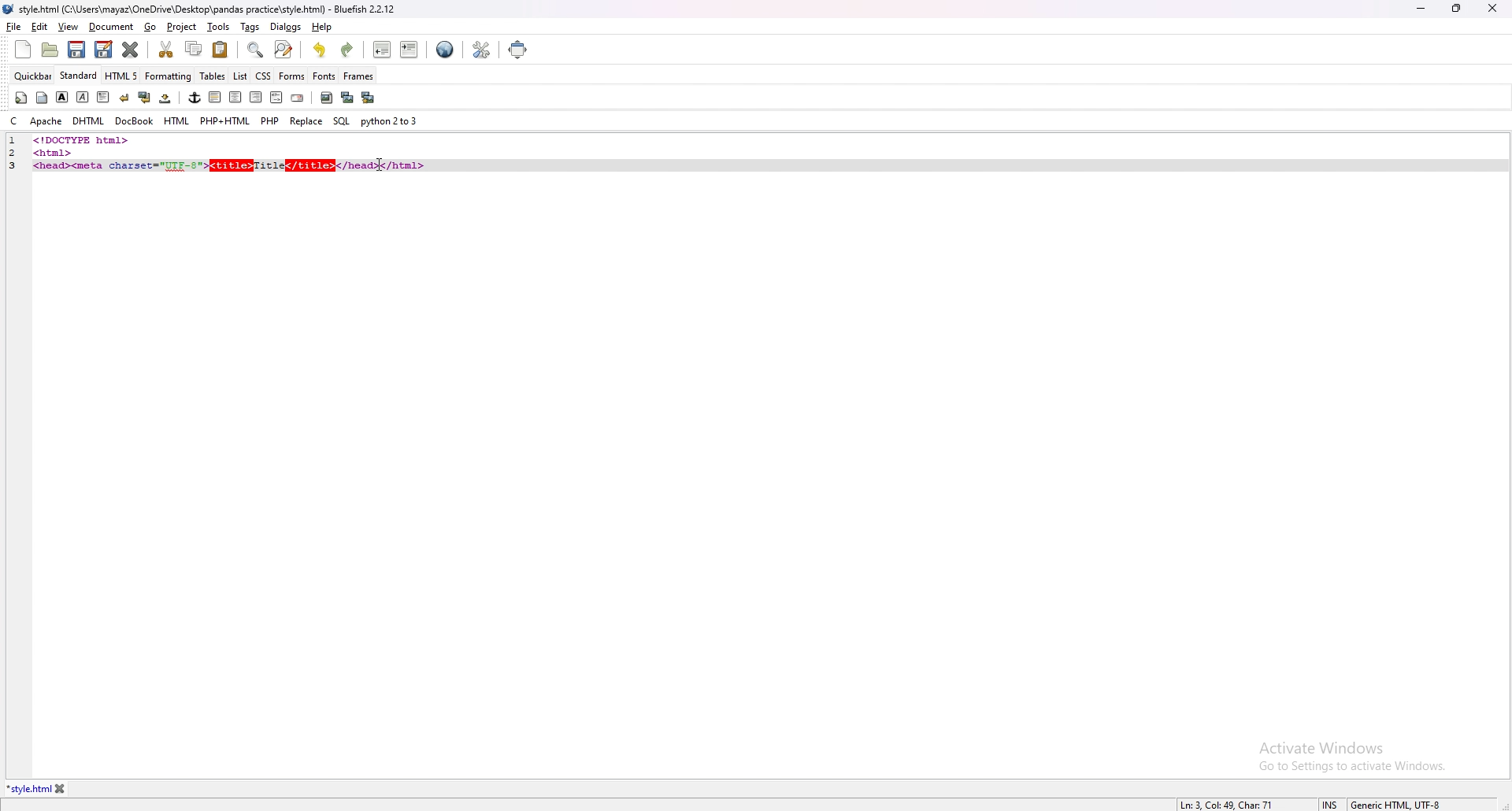 The height and width of the screenshot is (811, 1512). Describe the element at coordinates (46, 121) in the screenshot. I see `apache` at that location.